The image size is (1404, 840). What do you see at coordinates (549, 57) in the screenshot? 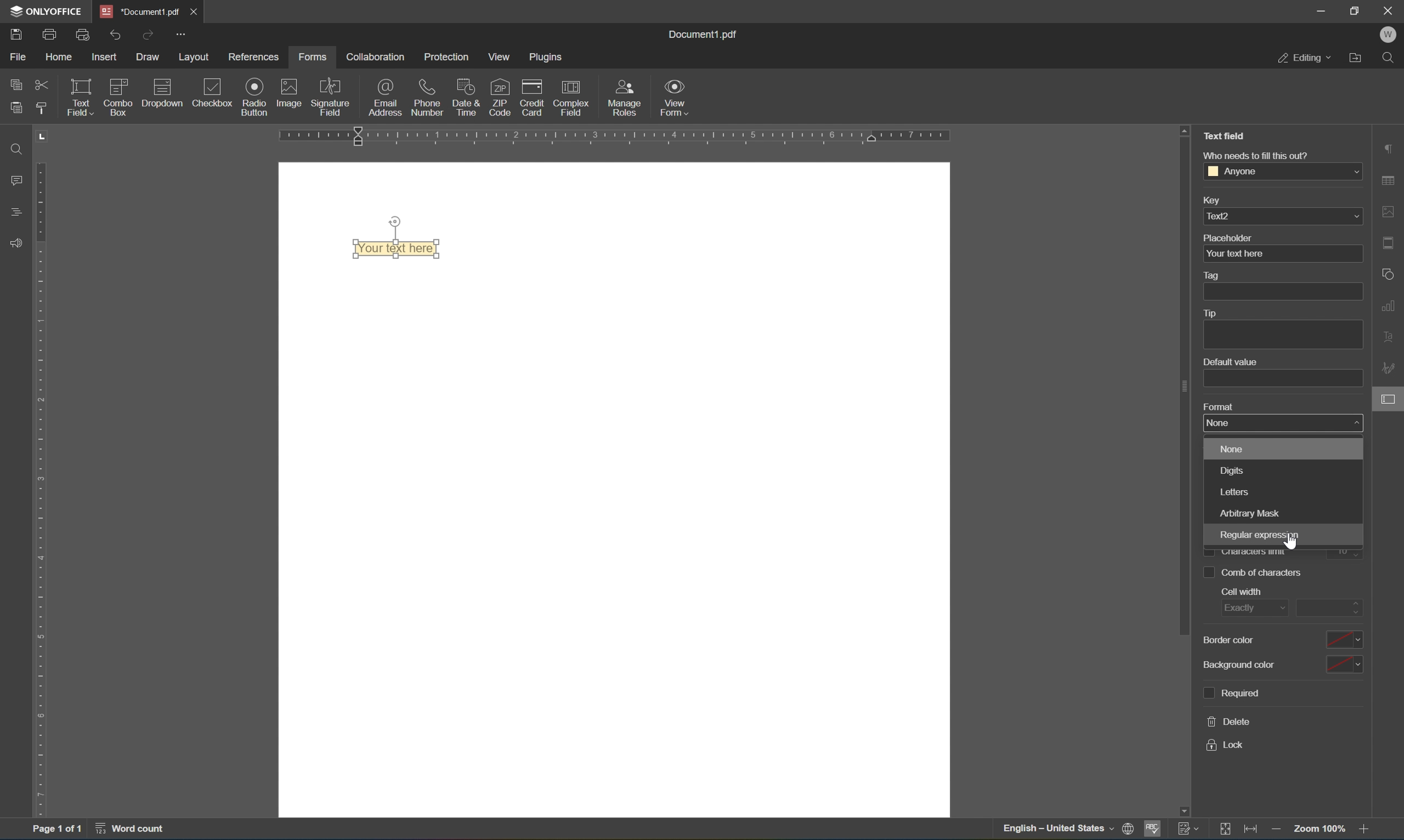
I see `plugins` at bounding box center [549, 57].